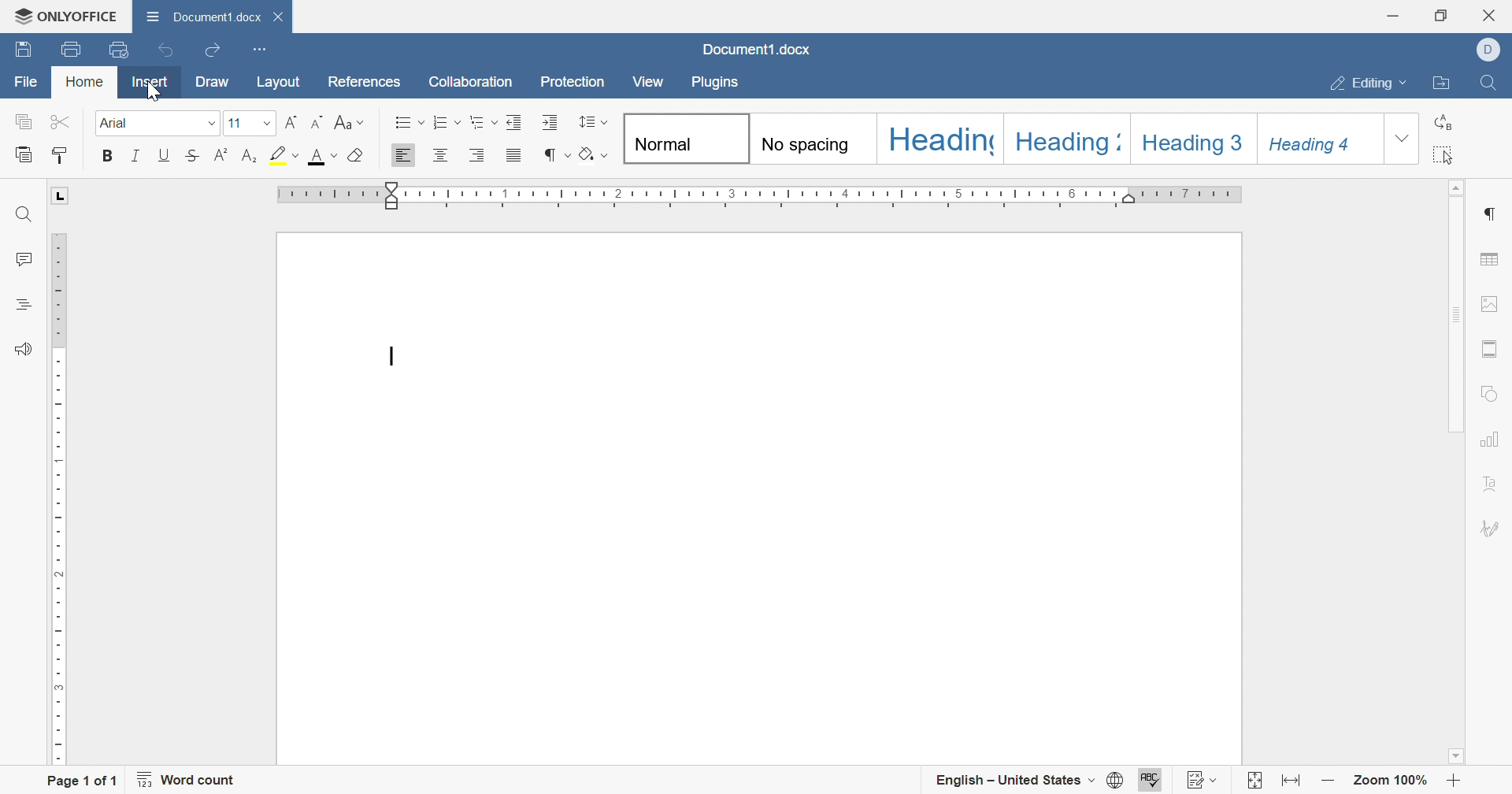 This screenshot has height=794, width=1512. Describe the element at coordinates (1316, 141) in the screenshot. I see `Heading 4` at that location.